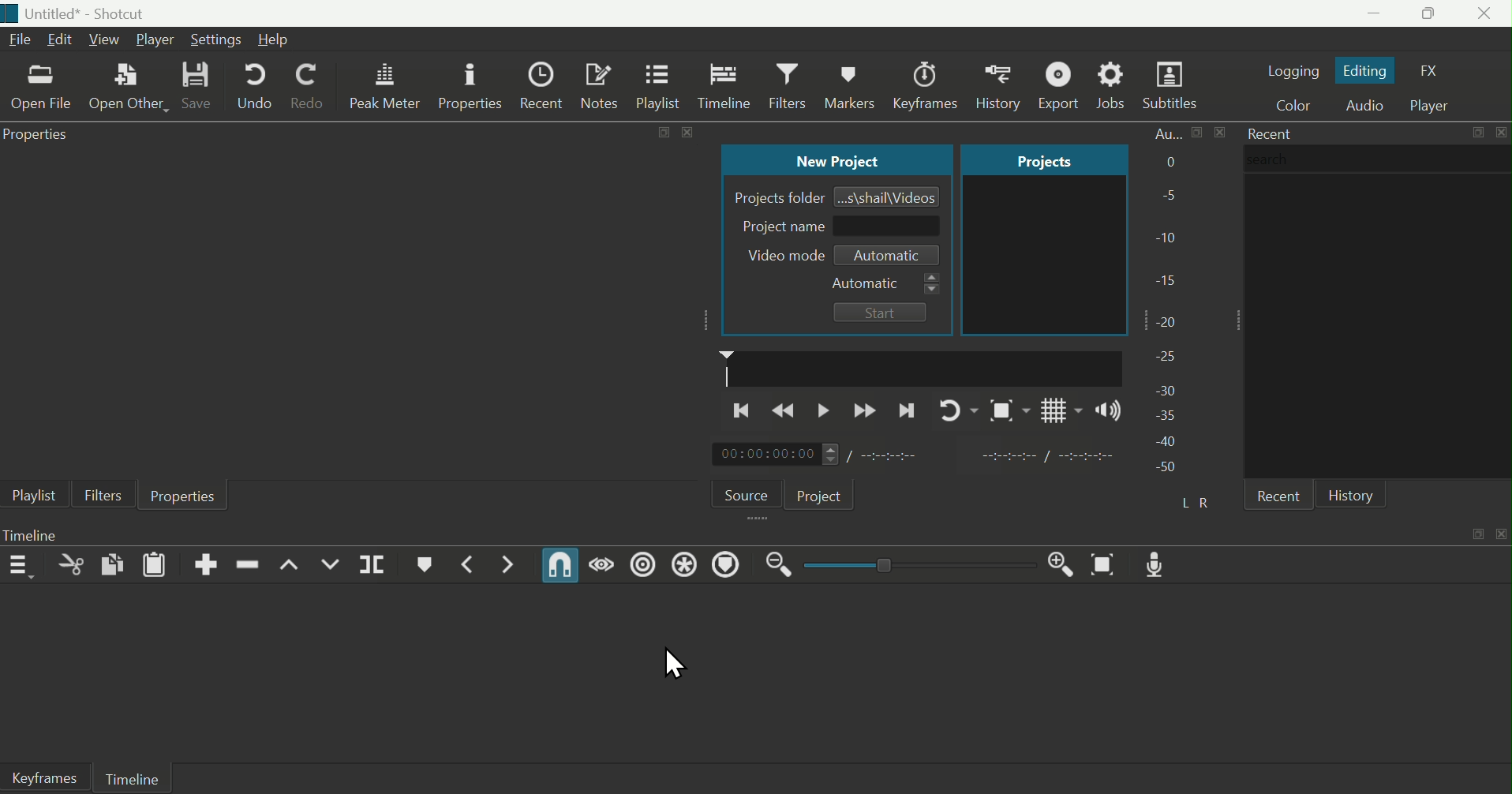 This screenshot has width=1512, height=794. I want to click on Editing, so click(1367, 69).